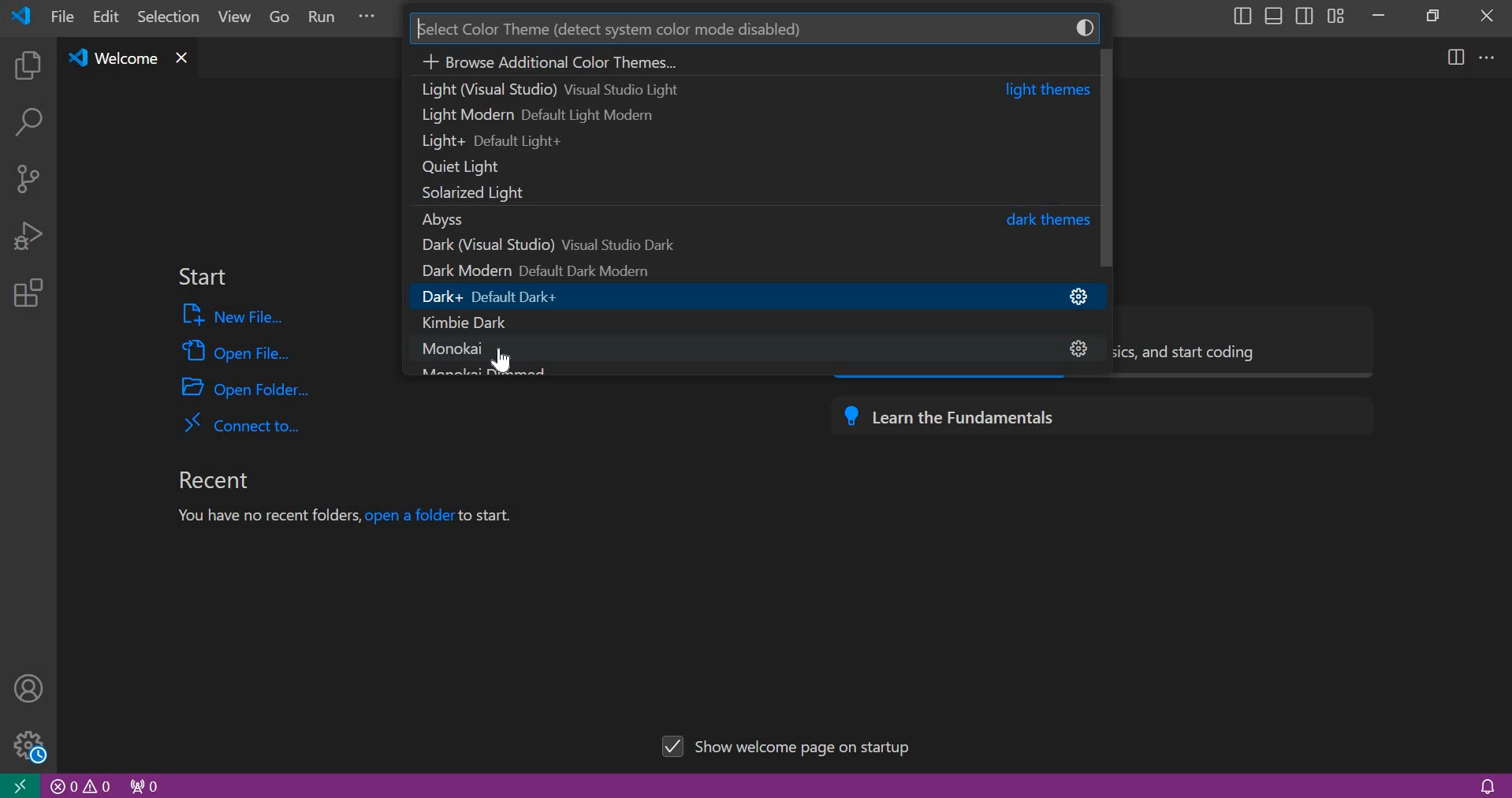  Describe the element at coordinates (1335, 15) in the screenshot. I see `customize layout` at that location.